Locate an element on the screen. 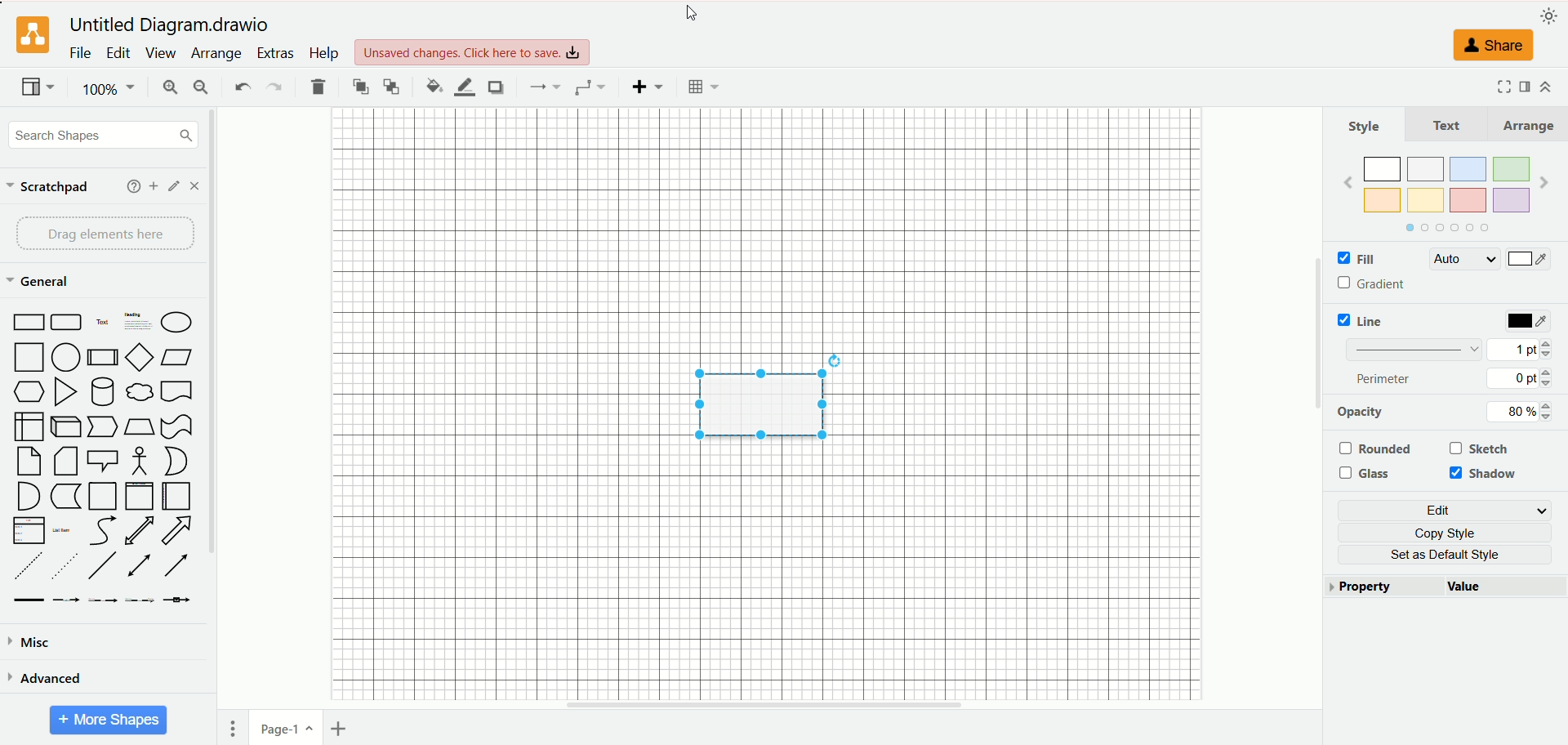 This screenshot has width=1568, height=745. property is located at coordinates (1384, 587).